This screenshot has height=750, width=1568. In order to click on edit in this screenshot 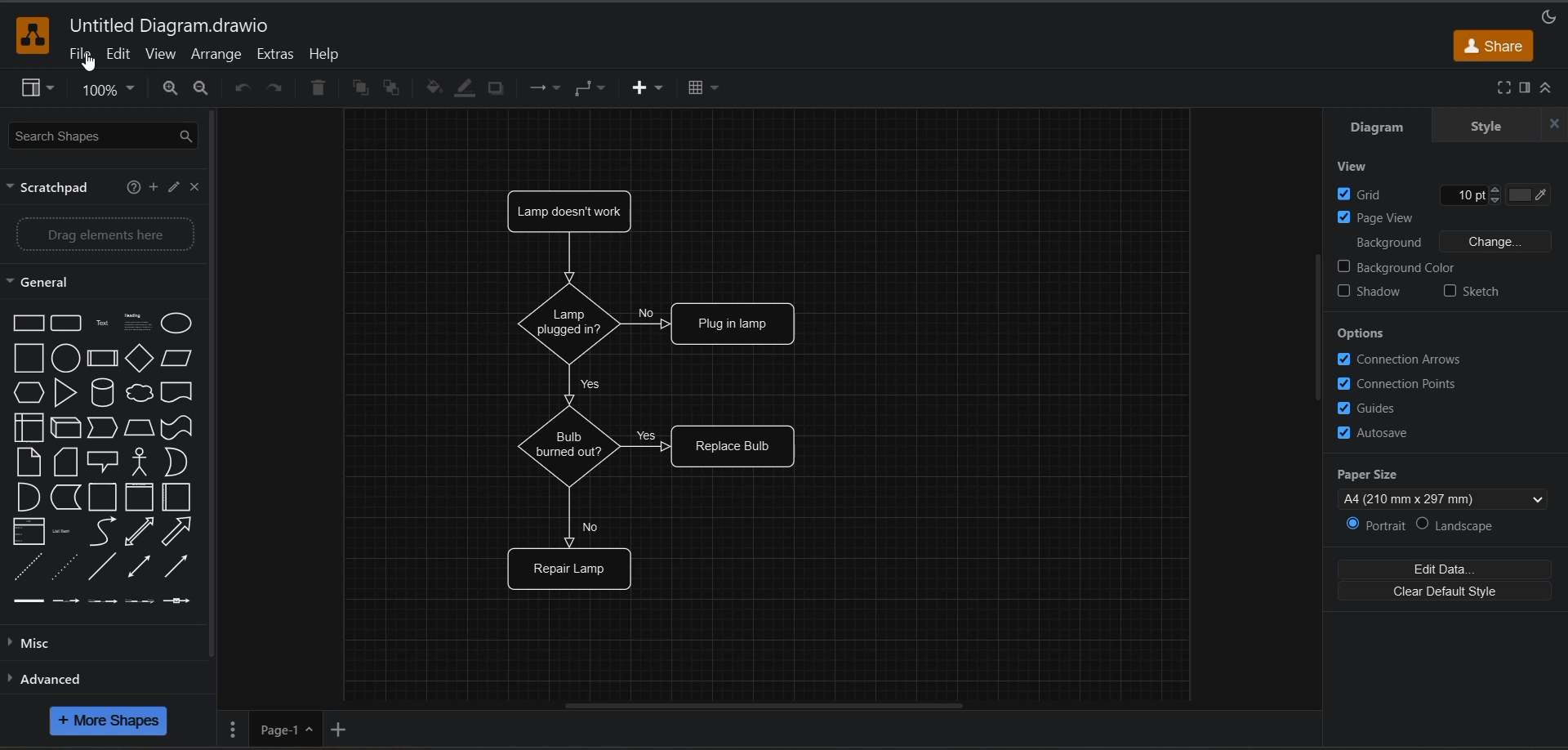, I will do `click(117, 56)`.